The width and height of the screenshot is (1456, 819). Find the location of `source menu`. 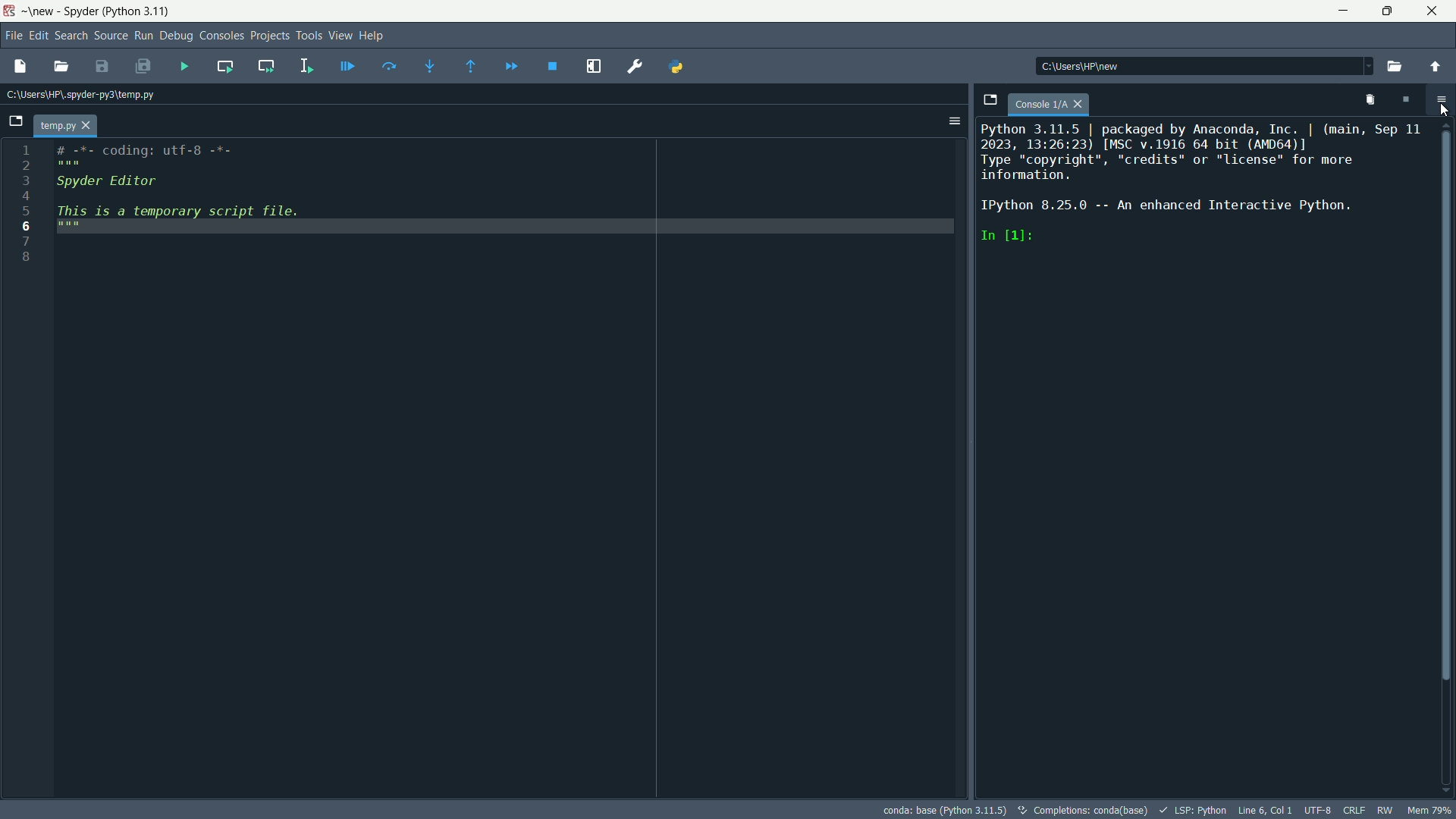

source menu is located at coordinates (111, 35).